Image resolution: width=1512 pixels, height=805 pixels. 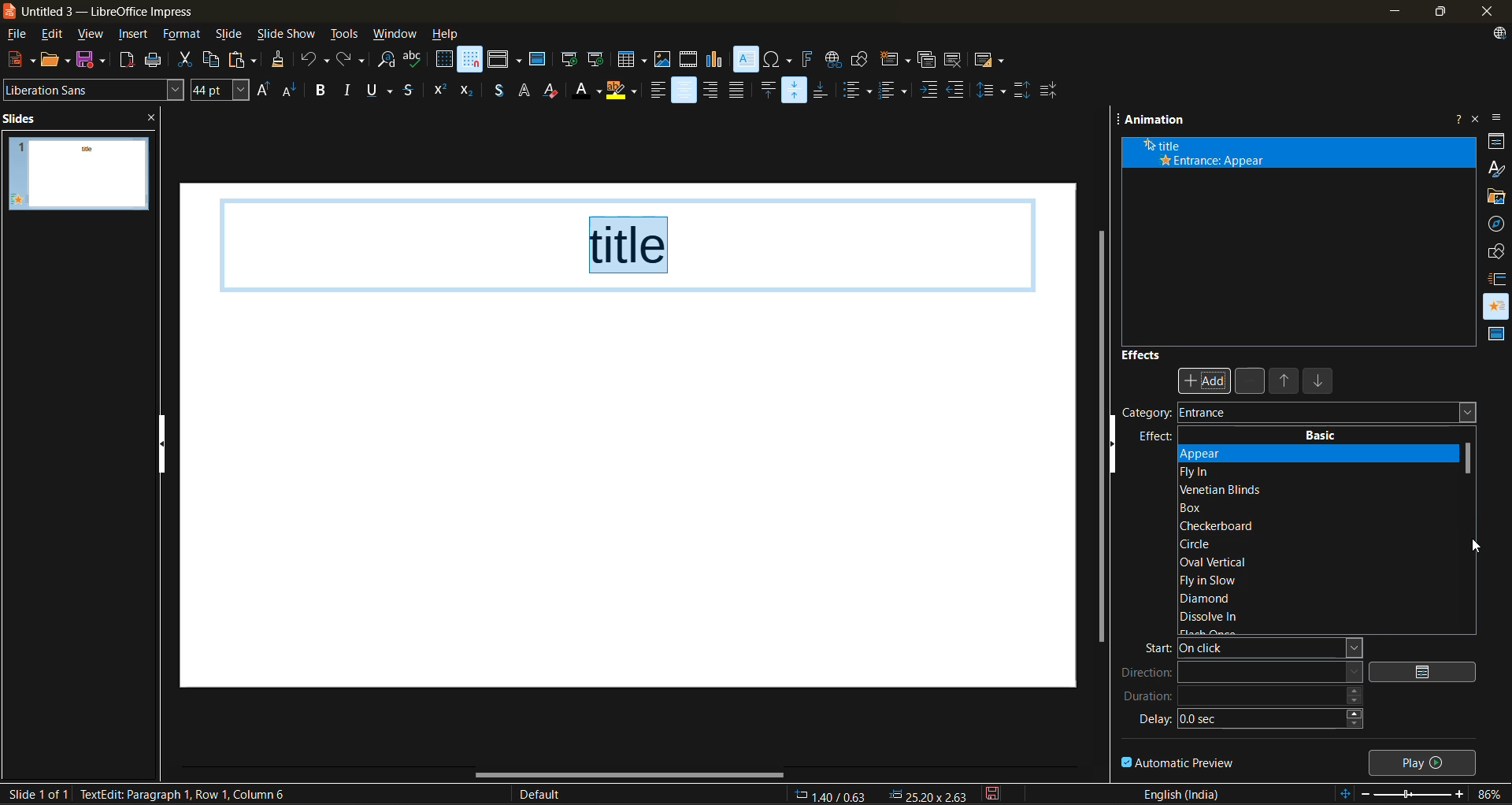 What do you see at coordinates (1417, 796) in the screenshot?
I see `zoom slider` at bounding box center [1417, 796].